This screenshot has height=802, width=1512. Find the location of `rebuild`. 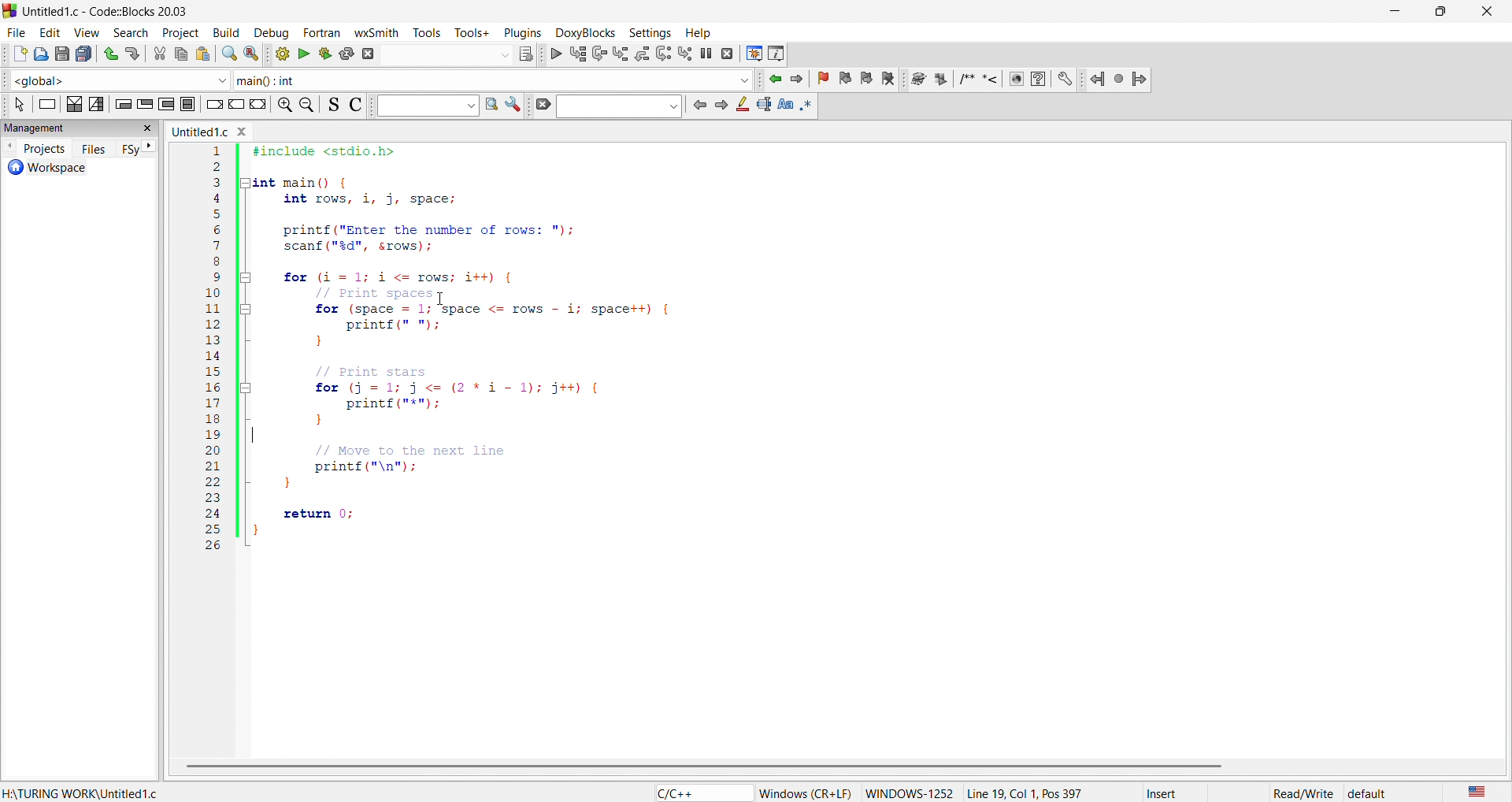

rebuild is located at coordinates (345, 53).